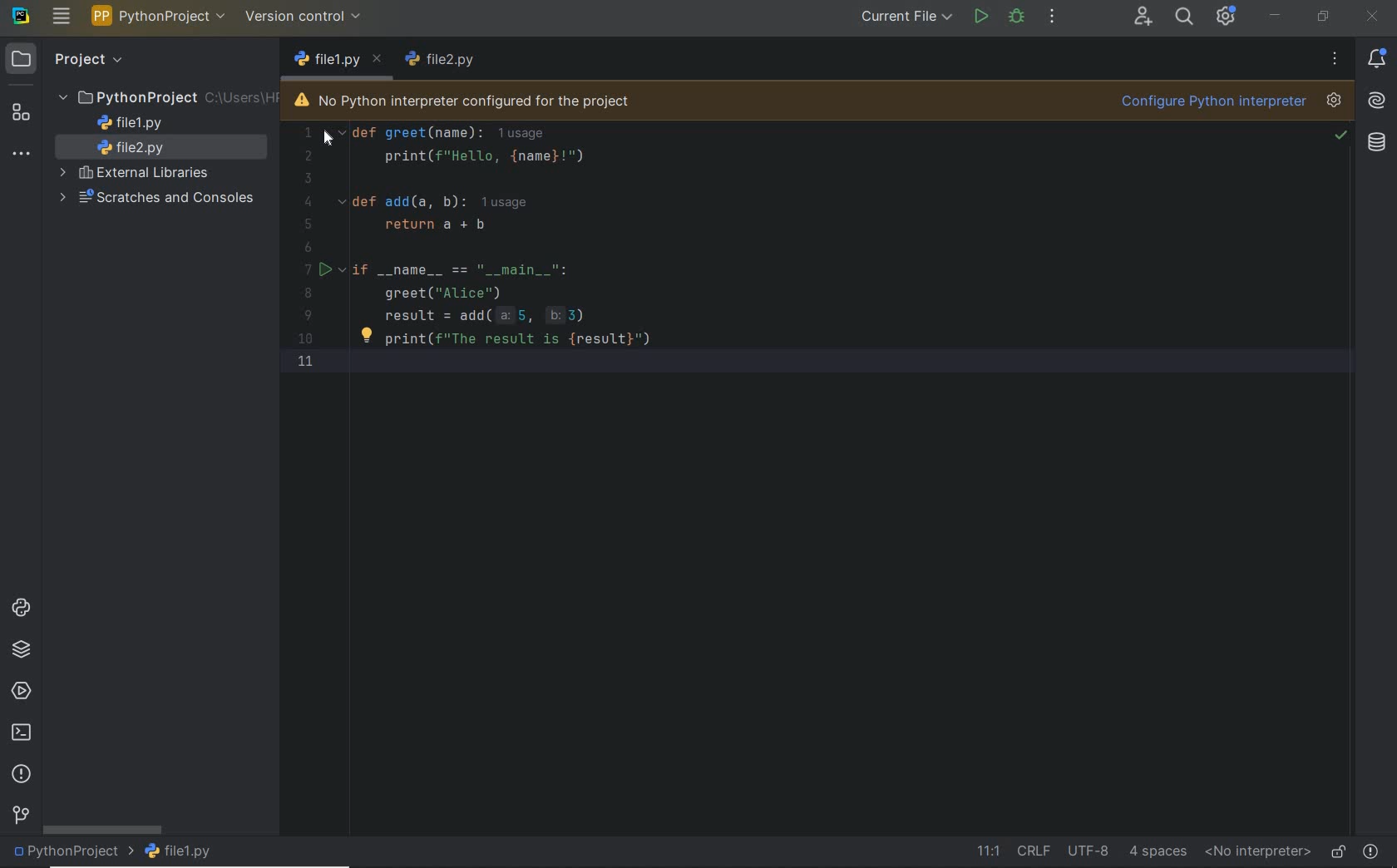 The width and height of the screenshot is (1397, 868). I want to click on version control, so click(18, 816).